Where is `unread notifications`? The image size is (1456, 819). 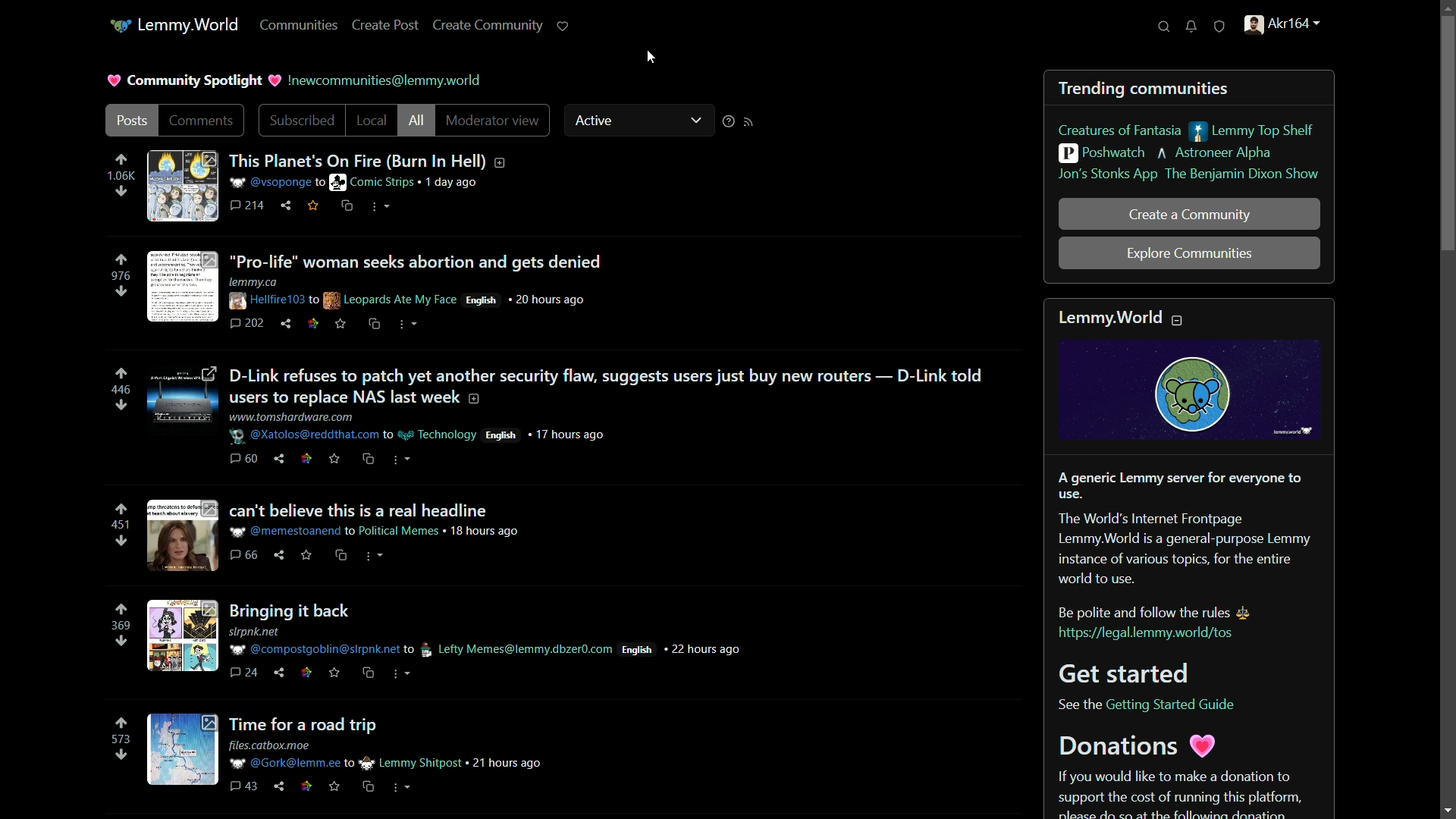
unread notifications is located at coordinates (1193, 27).